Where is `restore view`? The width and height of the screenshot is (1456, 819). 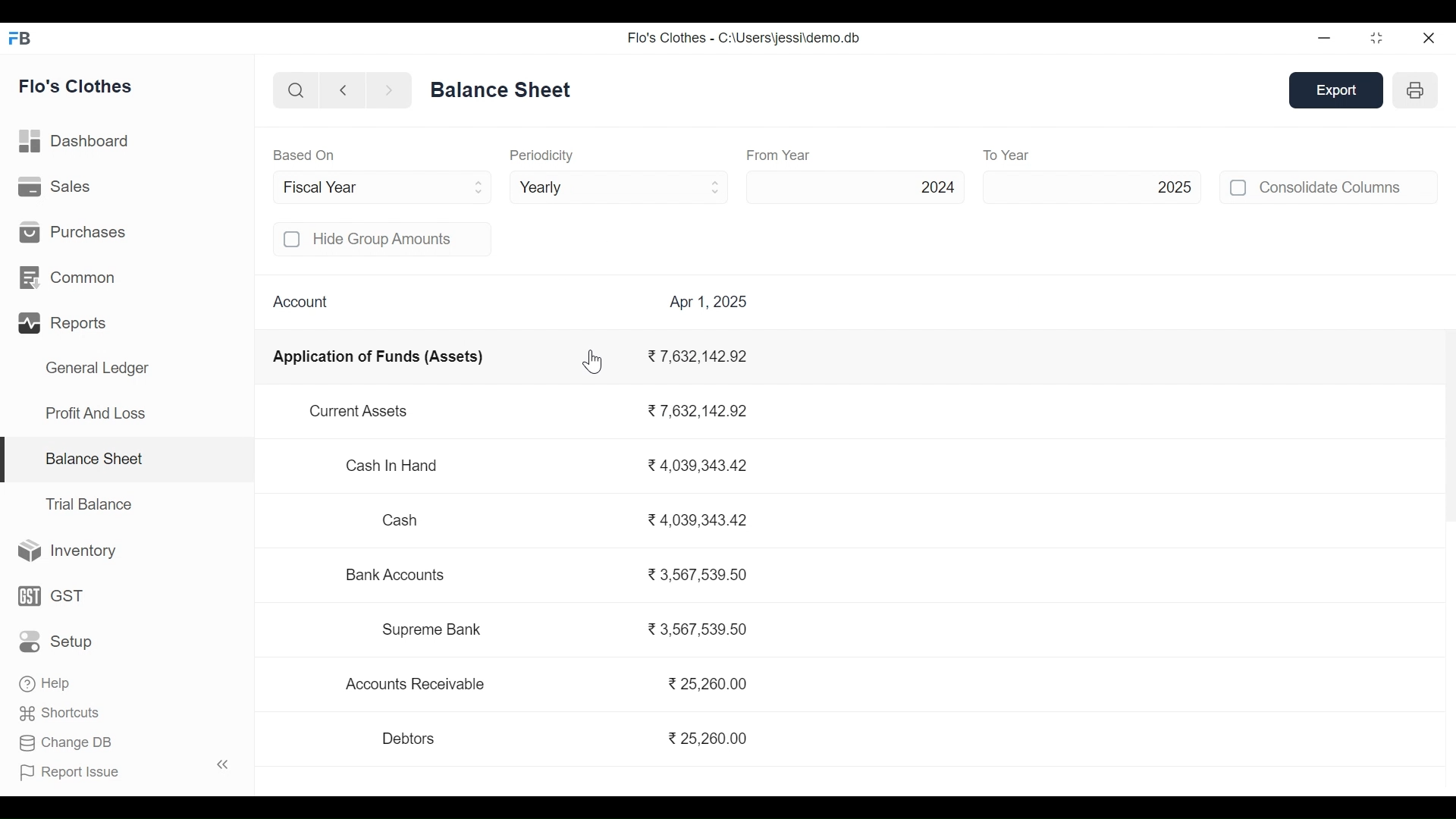
restore view is located at coordinates (1378, 39).